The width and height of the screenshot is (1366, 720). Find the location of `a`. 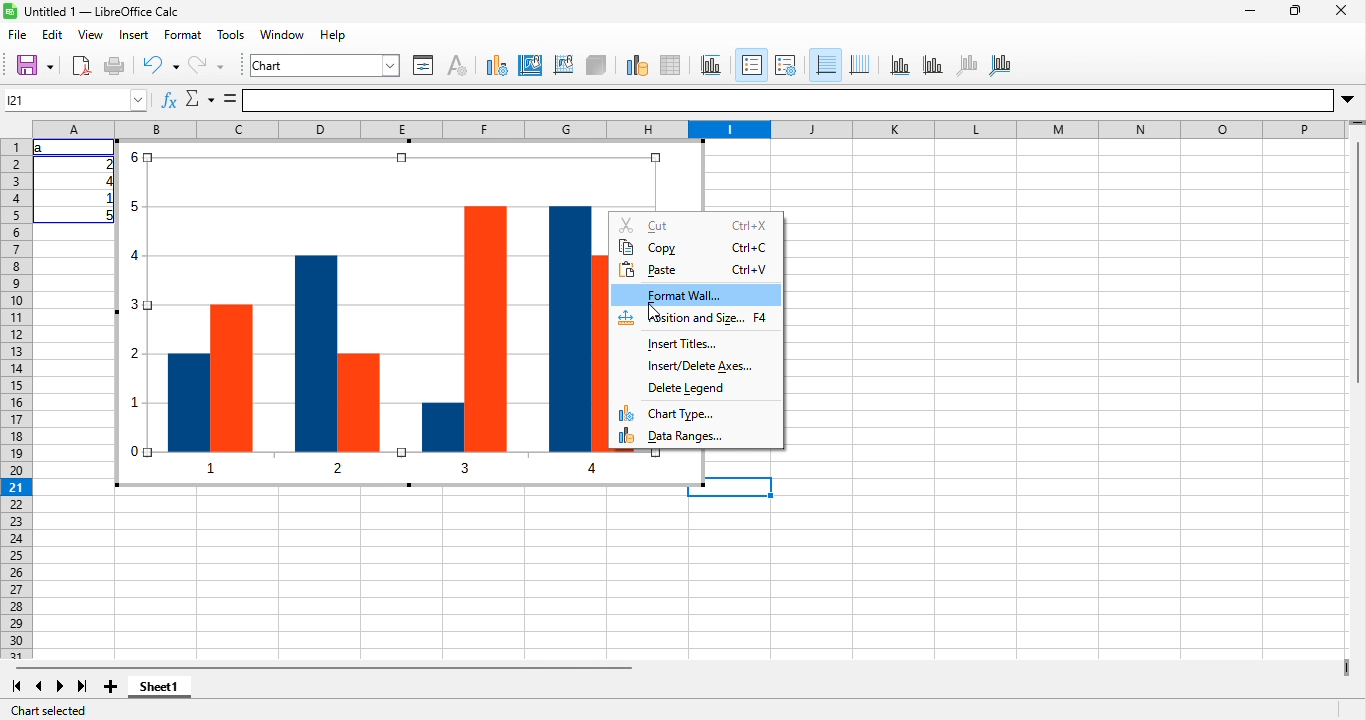

a is located at coordinates (42, 148).